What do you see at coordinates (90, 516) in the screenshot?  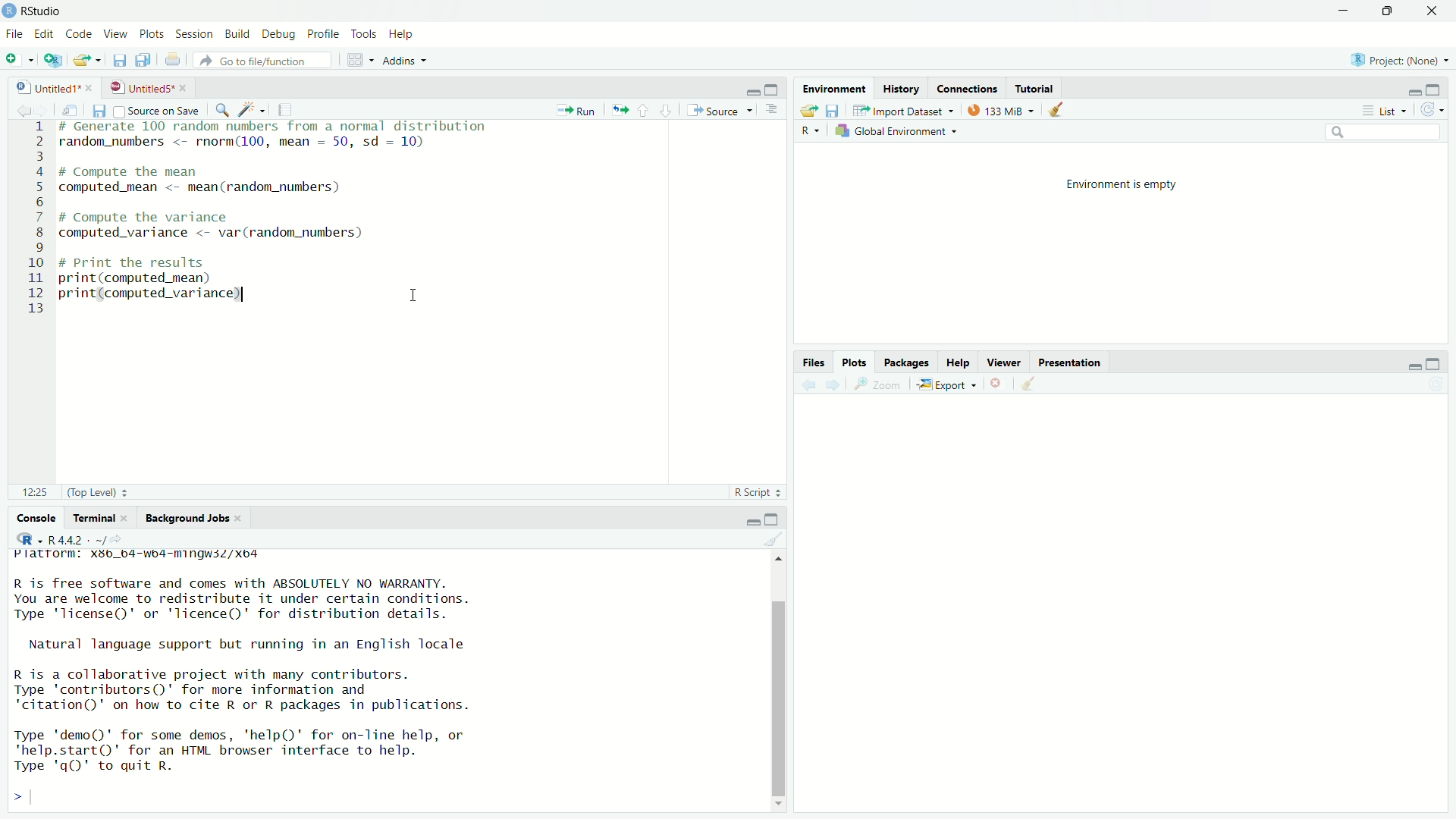 I see `terminal` at bounding box center [90, 516].